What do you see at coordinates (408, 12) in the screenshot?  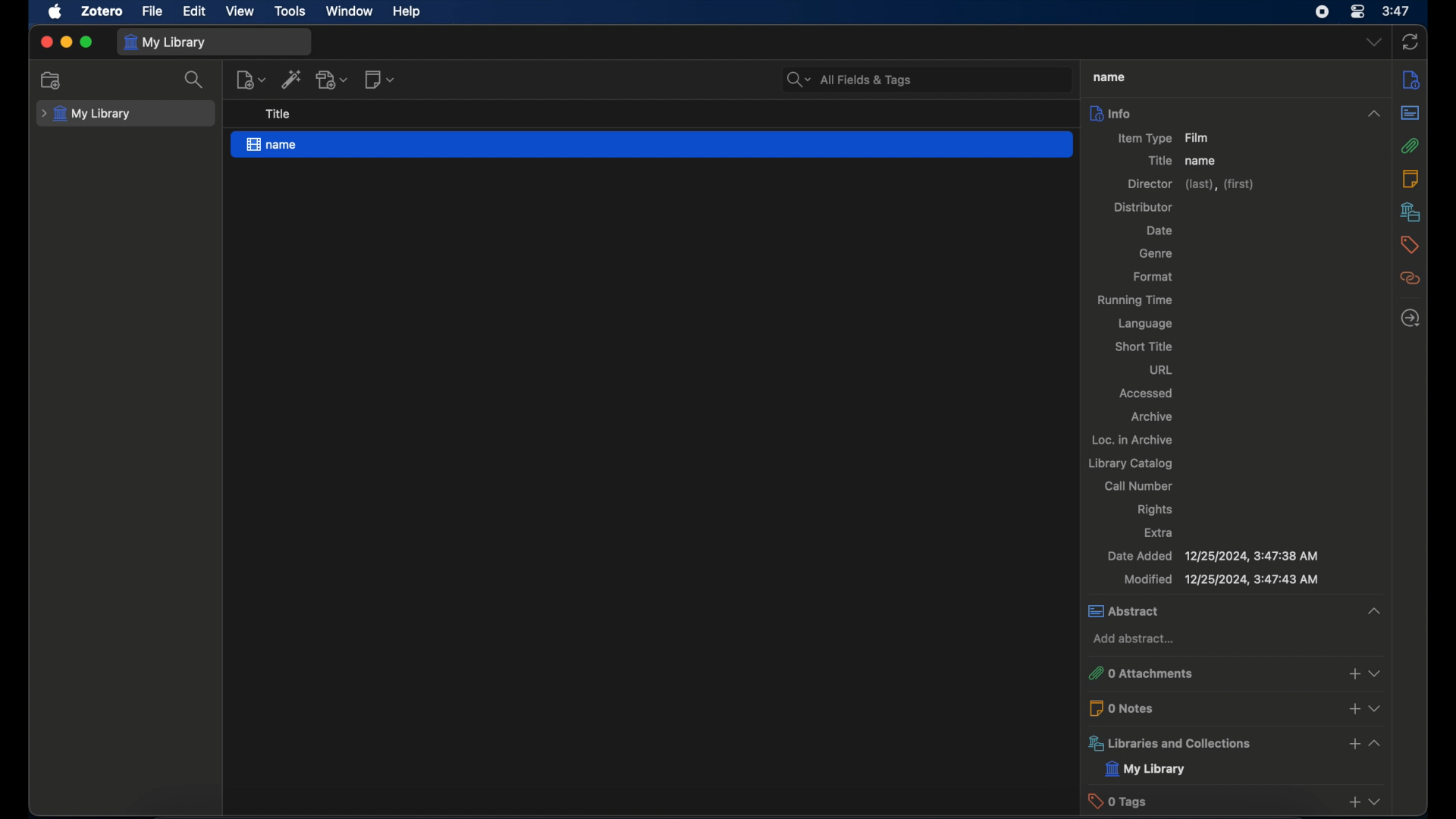 I see `help` at bounding box center [408, 12].